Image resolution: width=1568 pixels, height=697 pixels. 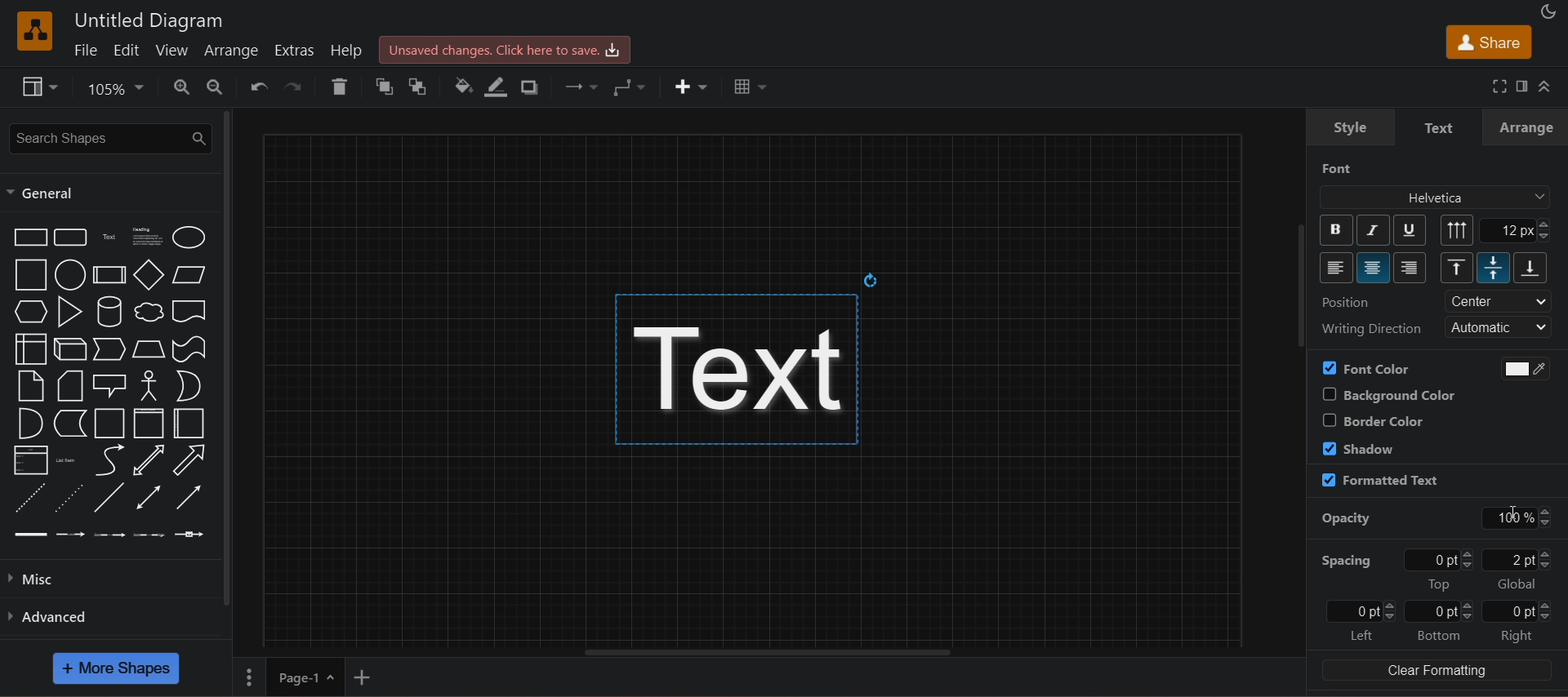 What do you see at coordinates (190, 349) in the screenshot?
I see `tape` at bounding box center [190, 349].